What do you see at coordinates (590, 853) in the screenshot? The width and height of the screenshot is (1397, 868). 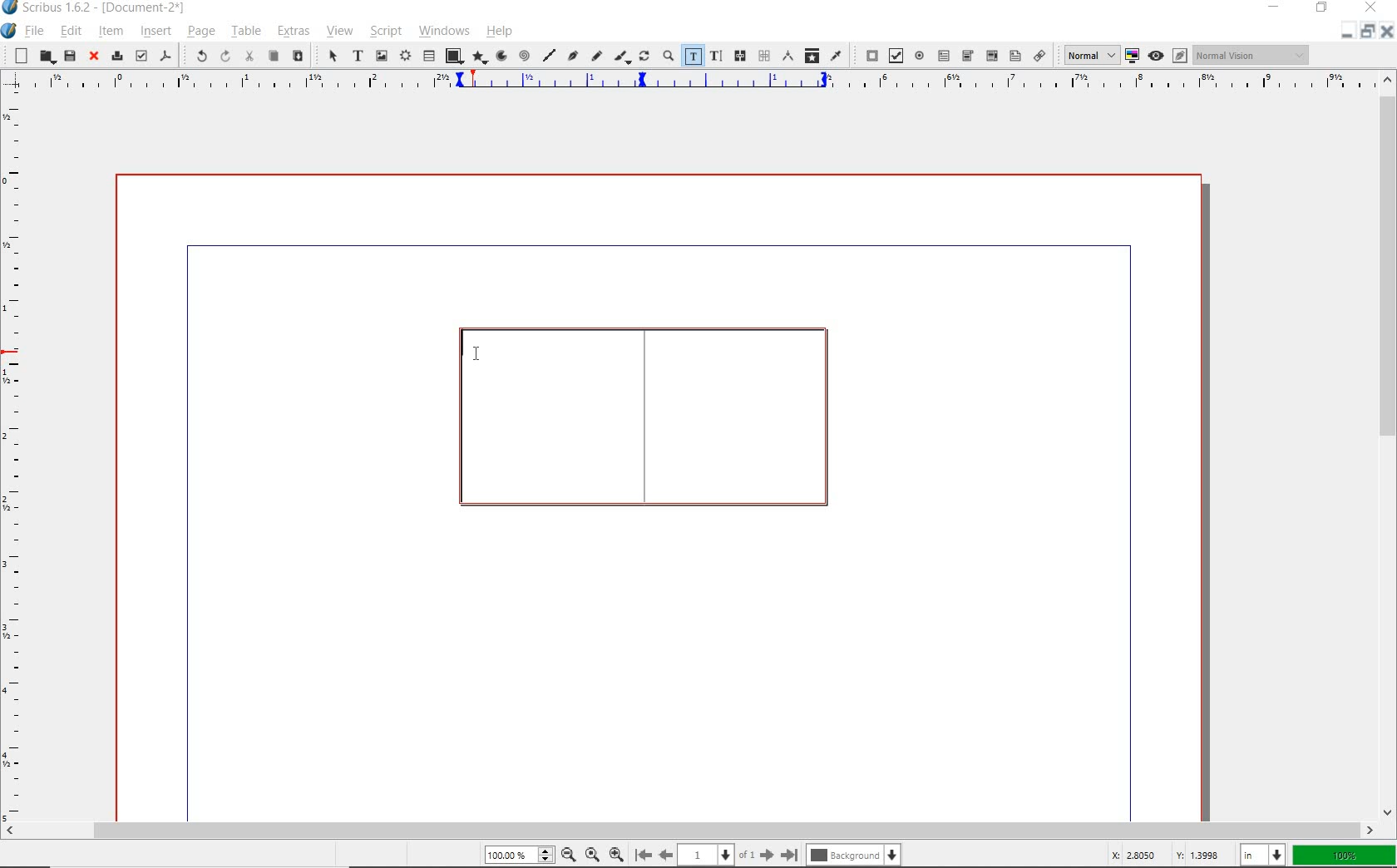 I see `default zoom` at bounding box center [590, 853].